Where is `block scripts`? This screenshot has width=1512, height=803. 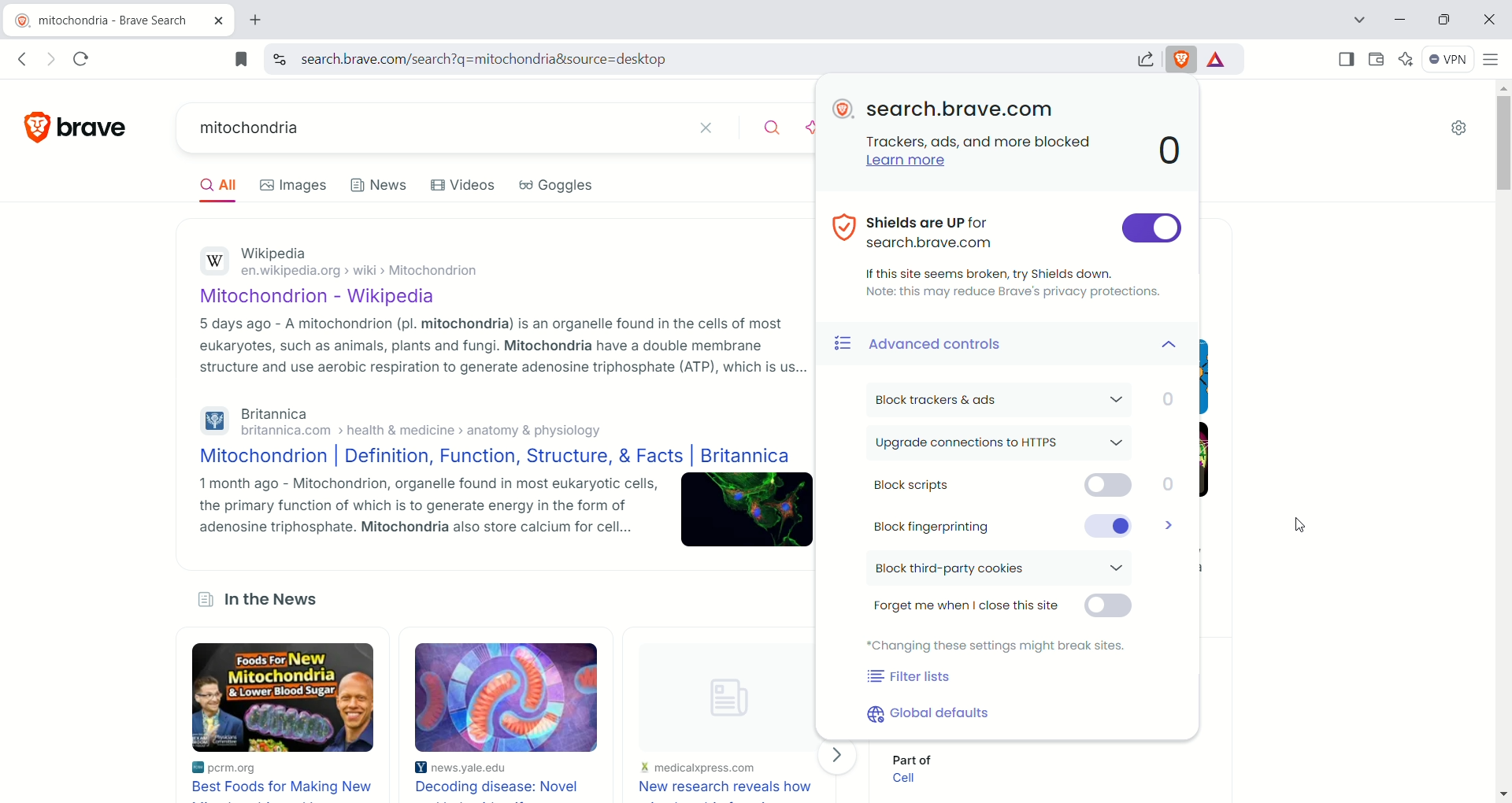 block scripts is located at coordinates (1028, 487).